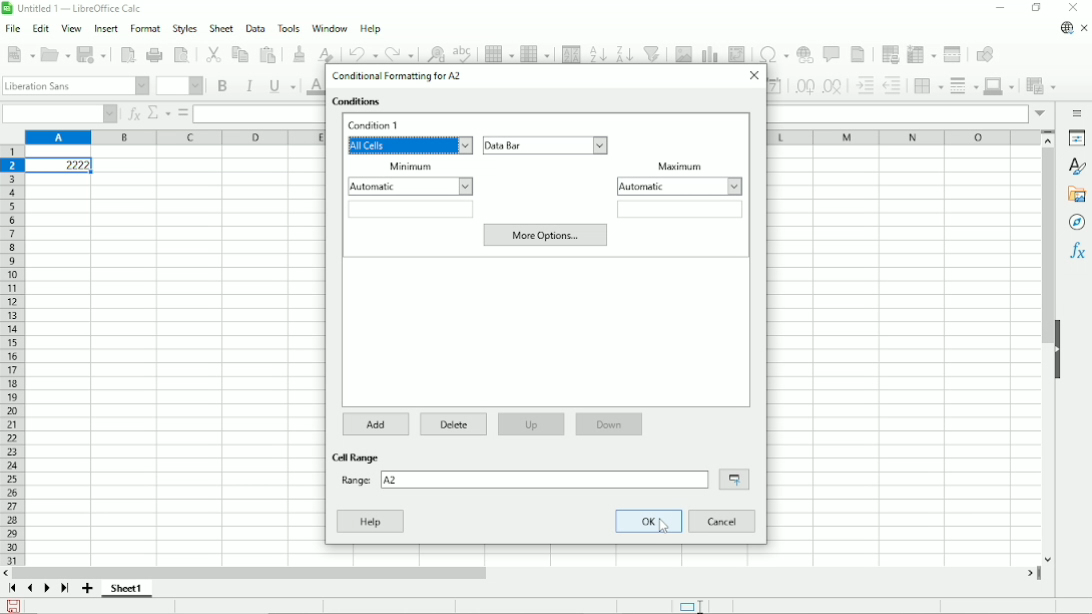 The height and width of the screenshot is (614, 1092). Describe the element at coordinates (463, 52) in the screenshot. I see `Spell check` at that location.